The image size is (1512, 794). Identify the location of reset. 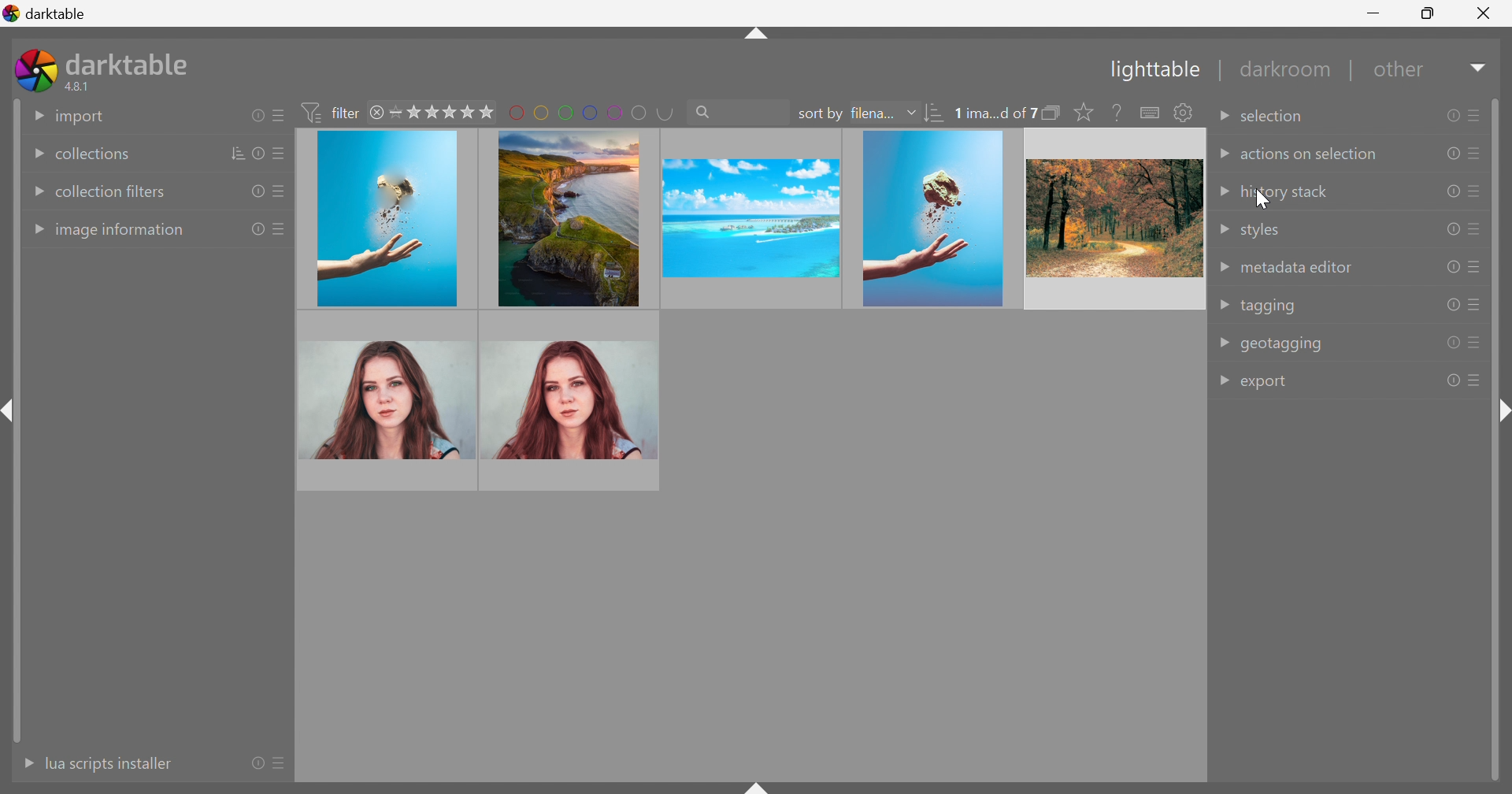
(258, 762).